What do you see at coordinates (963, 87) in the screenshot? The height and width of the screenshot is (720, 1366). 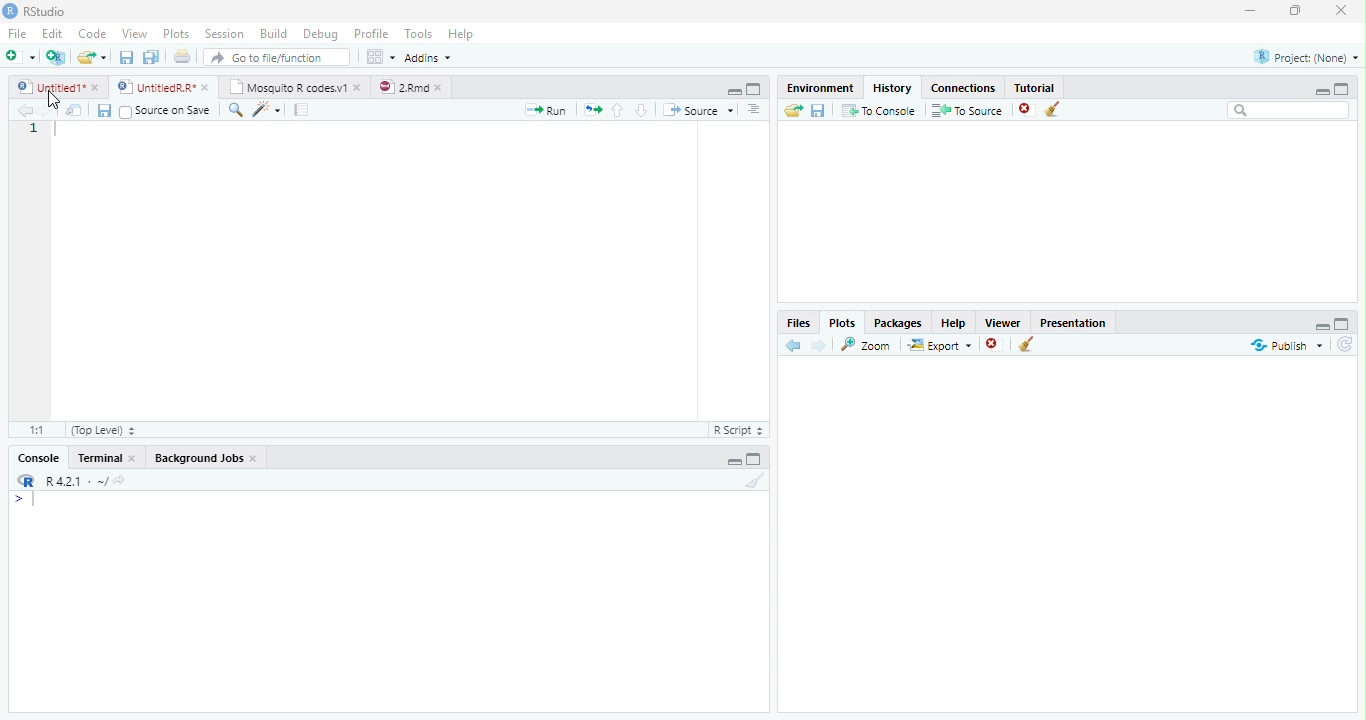 I see `Connections.` at bounding box center [963, 87].